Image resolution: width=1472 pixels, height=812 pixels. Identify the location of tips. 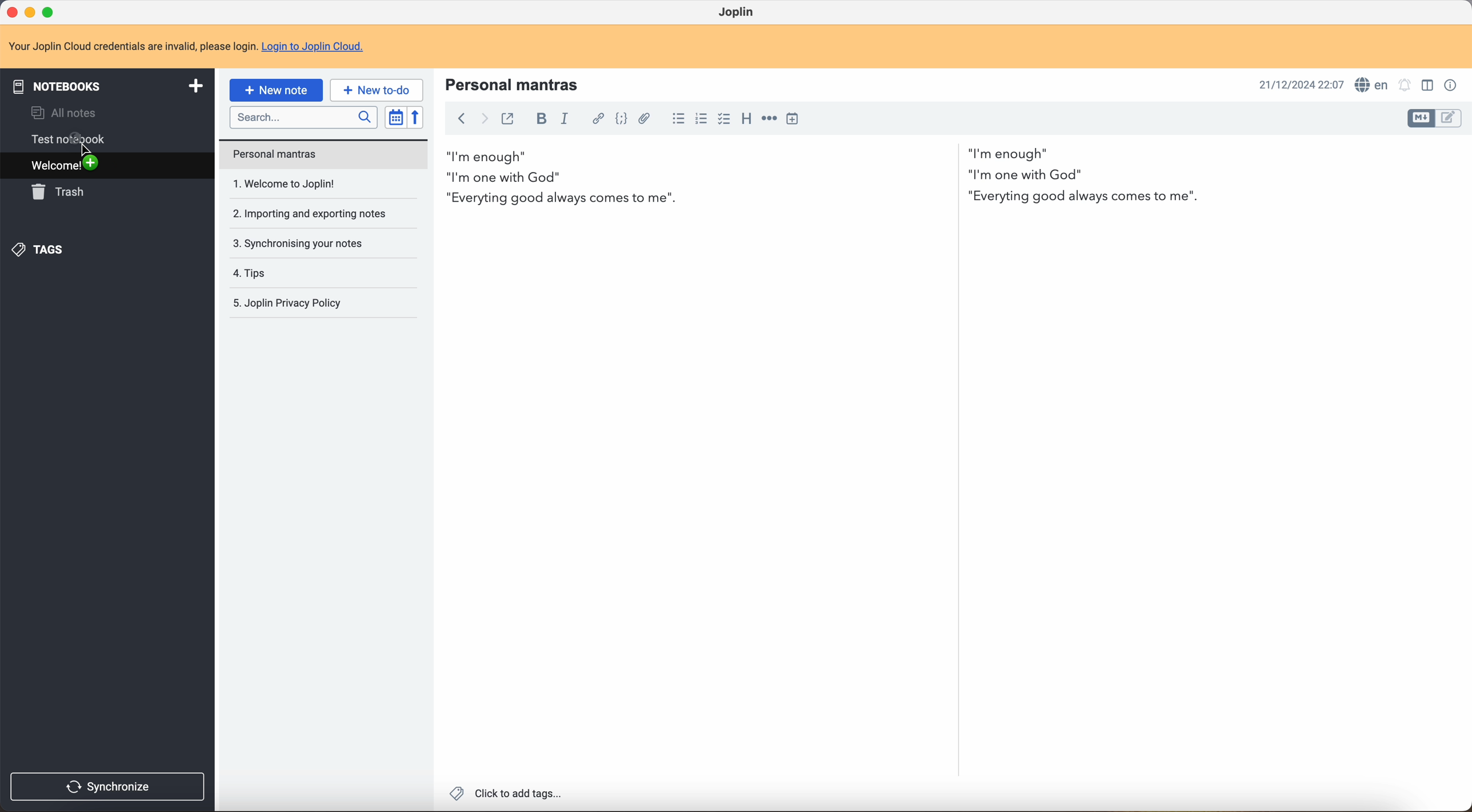
(250, 274).